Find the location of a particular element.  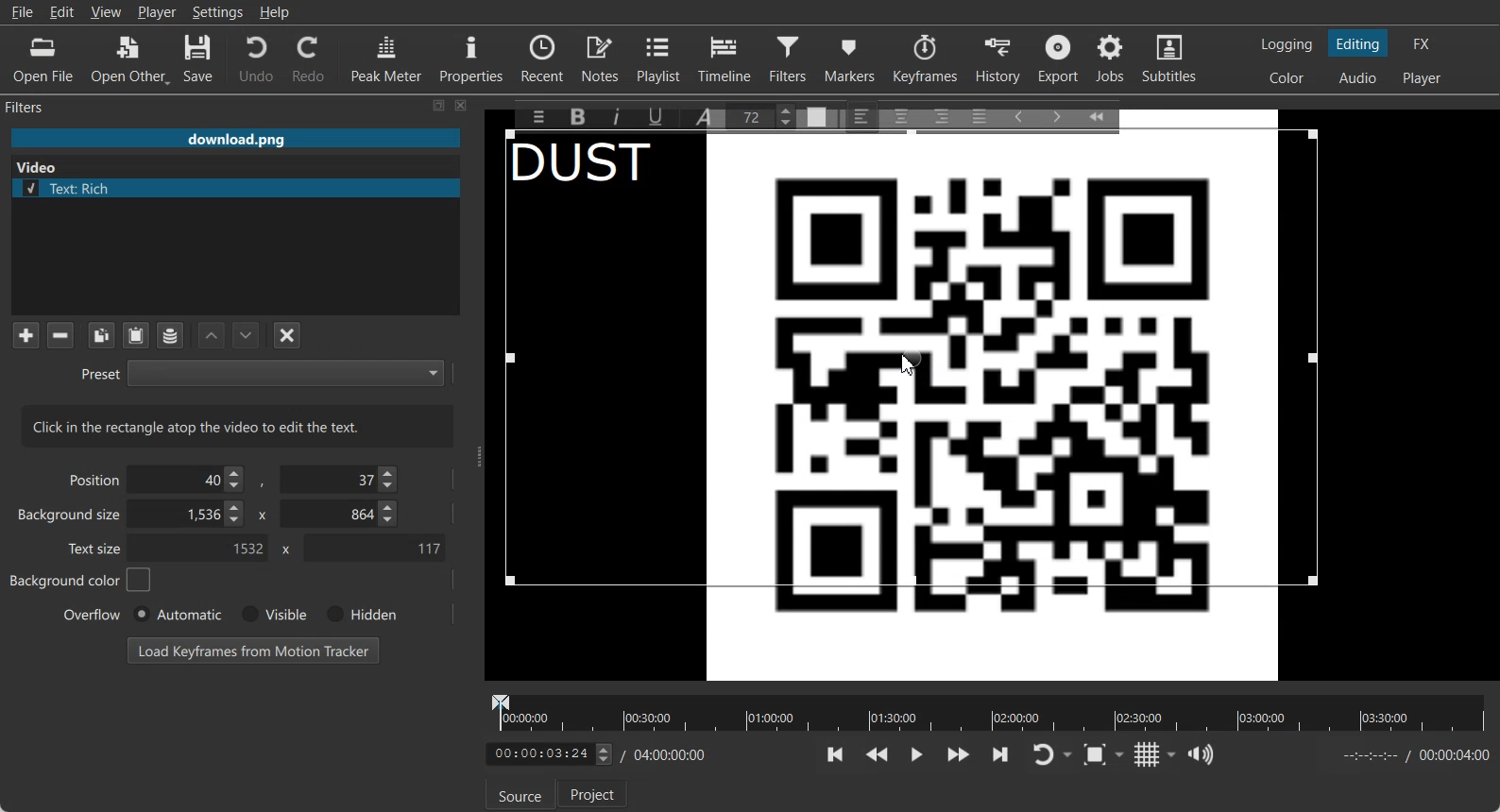

Cursor is located at coordinates (909, 364).